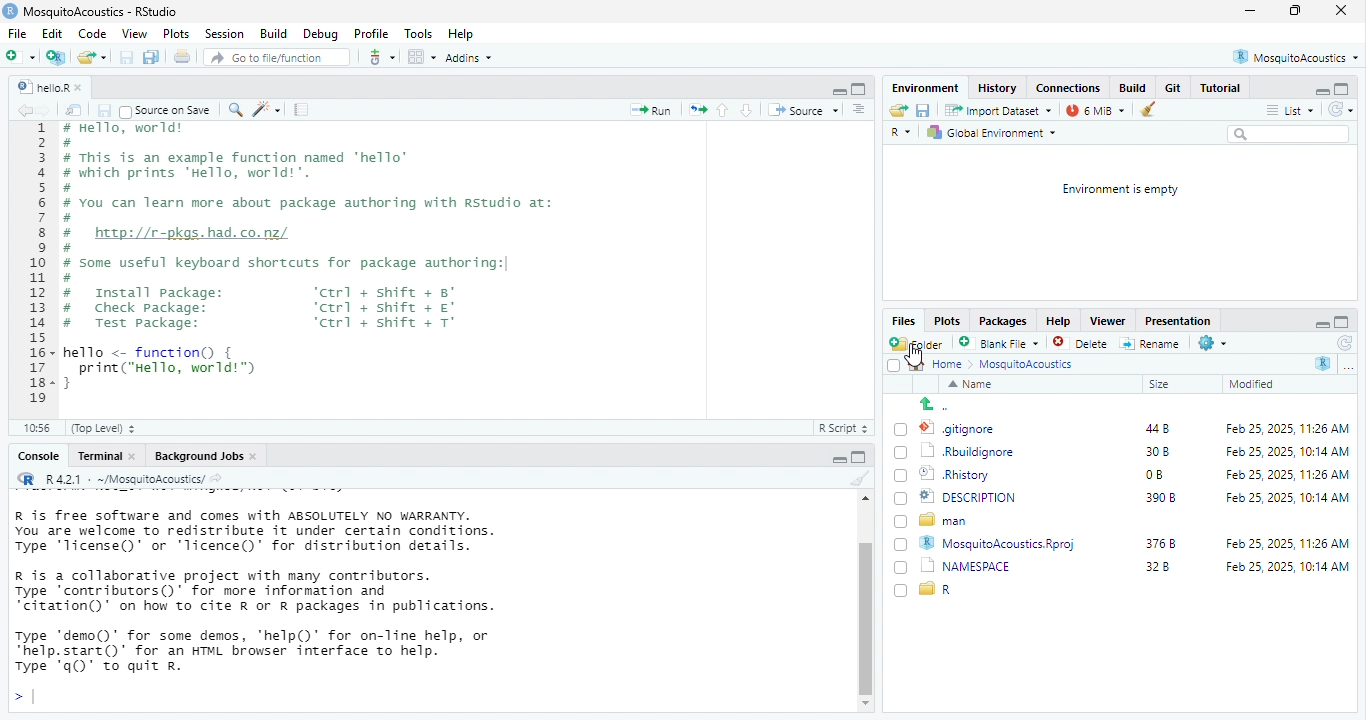 The image size is (1366, 720). What do you see at coordinates (135, 35) in the screenshot?
I see `View` at bounding box center [135, 35].